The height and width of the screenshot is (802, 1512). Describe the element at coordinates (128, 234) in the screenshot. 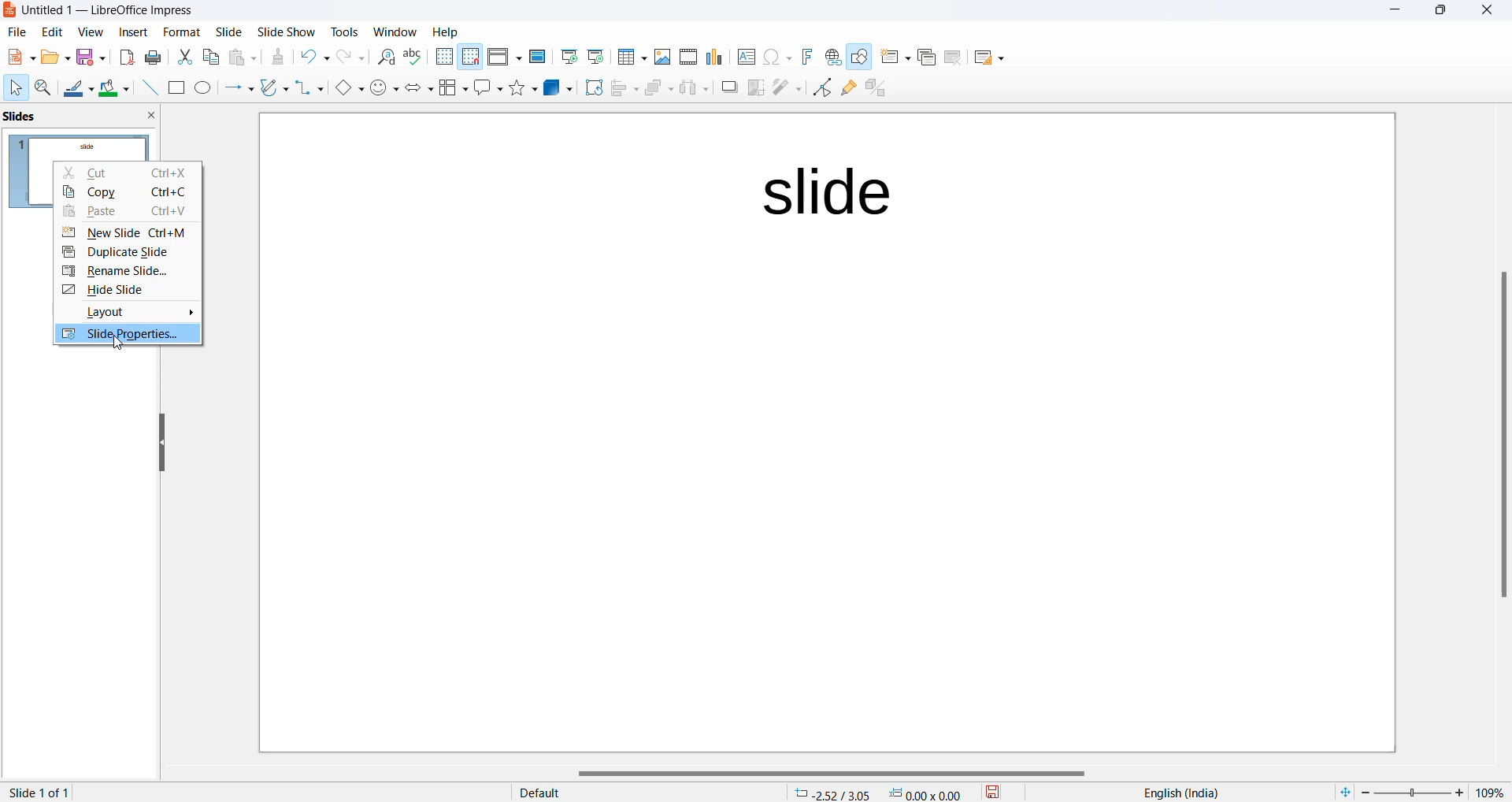

I see `new slide` at that location.